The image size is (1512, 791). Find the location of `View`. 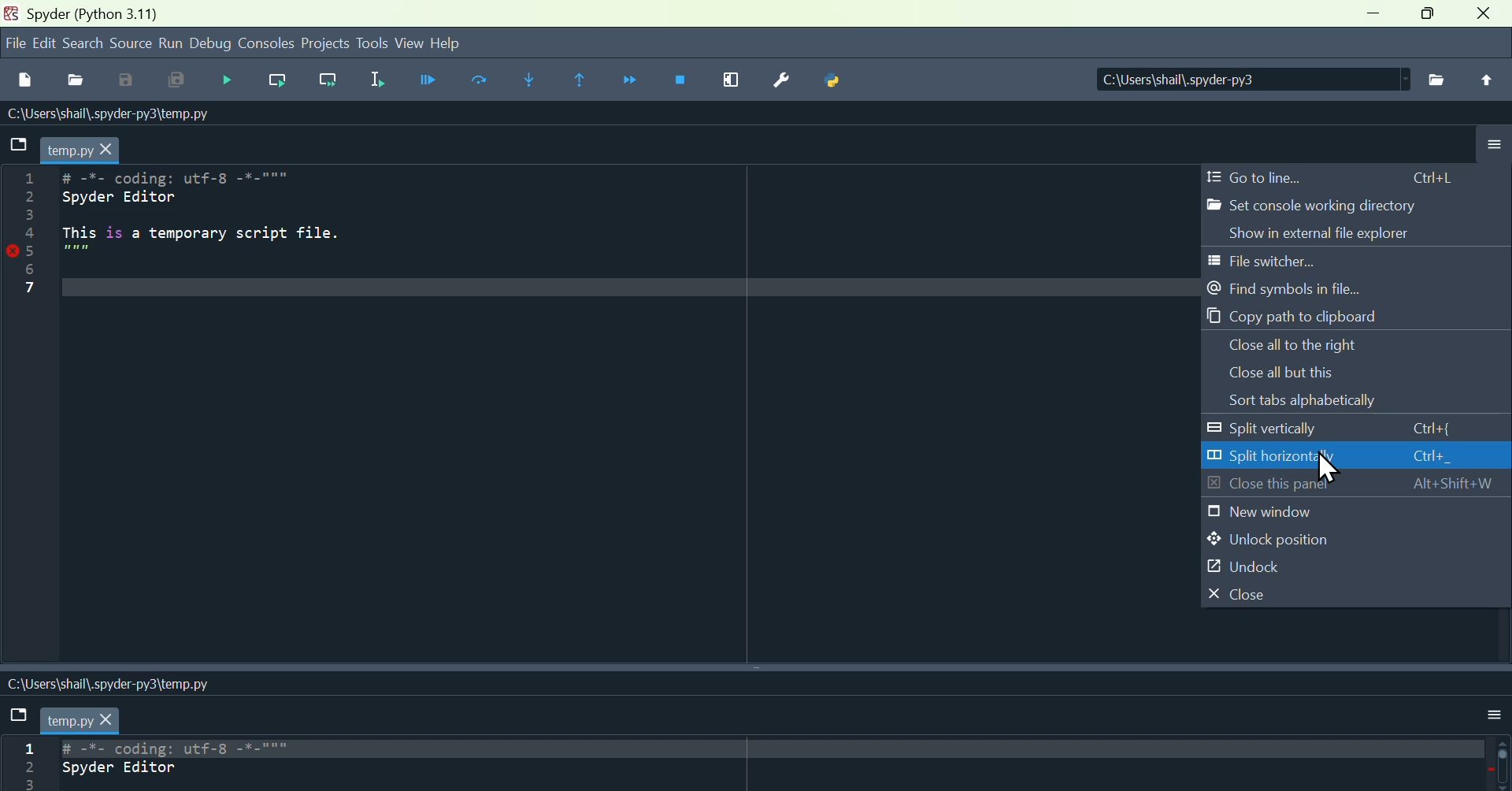

View is located at coordinates (407, 44).